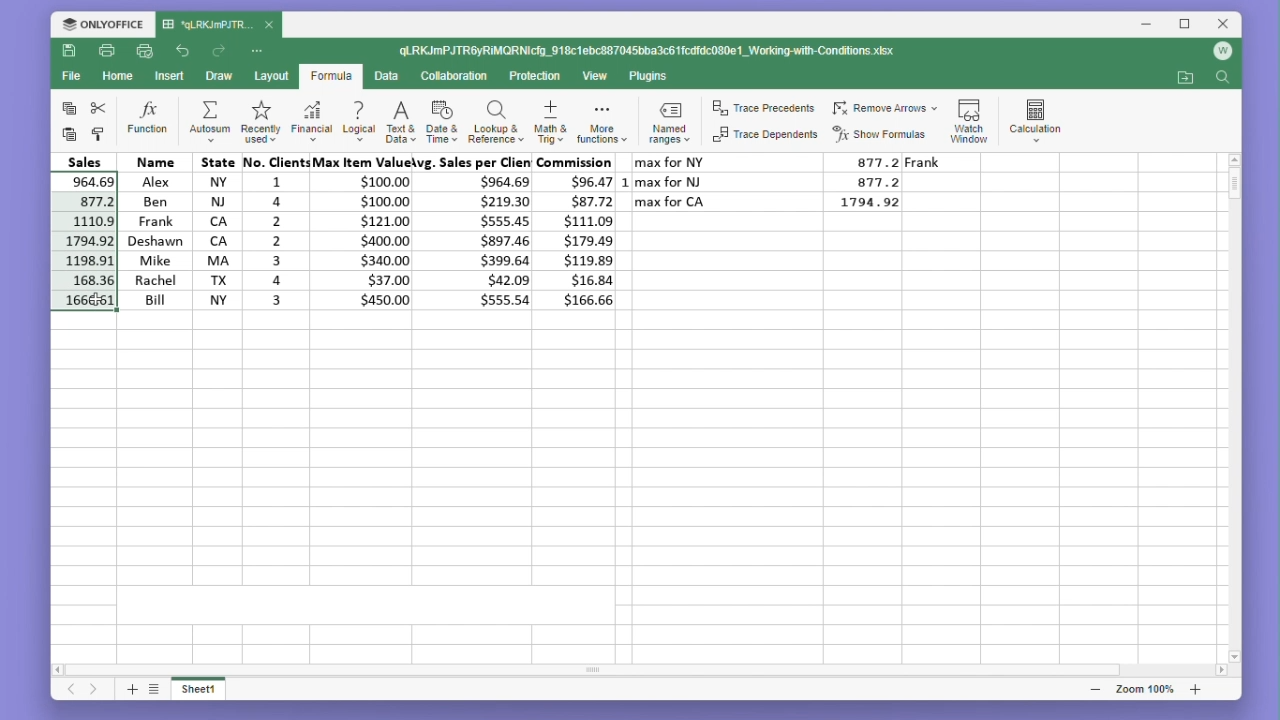 The width and height of the screenshot is (1280, 720). I want to click on Text and data, so click(399, 119).